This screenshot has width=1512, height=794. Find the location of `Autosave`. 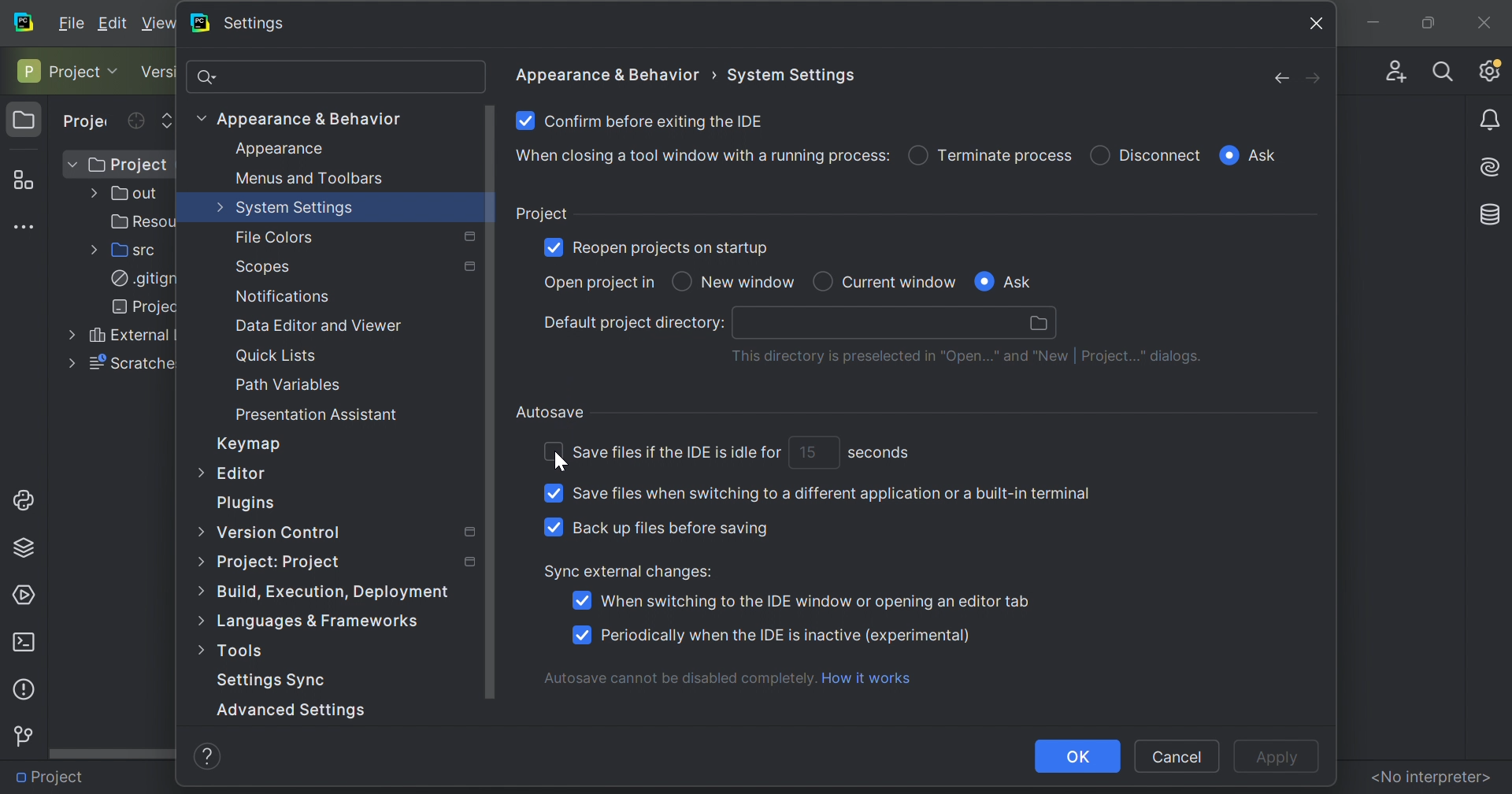

Autosave is located at coordinates (550, 412).